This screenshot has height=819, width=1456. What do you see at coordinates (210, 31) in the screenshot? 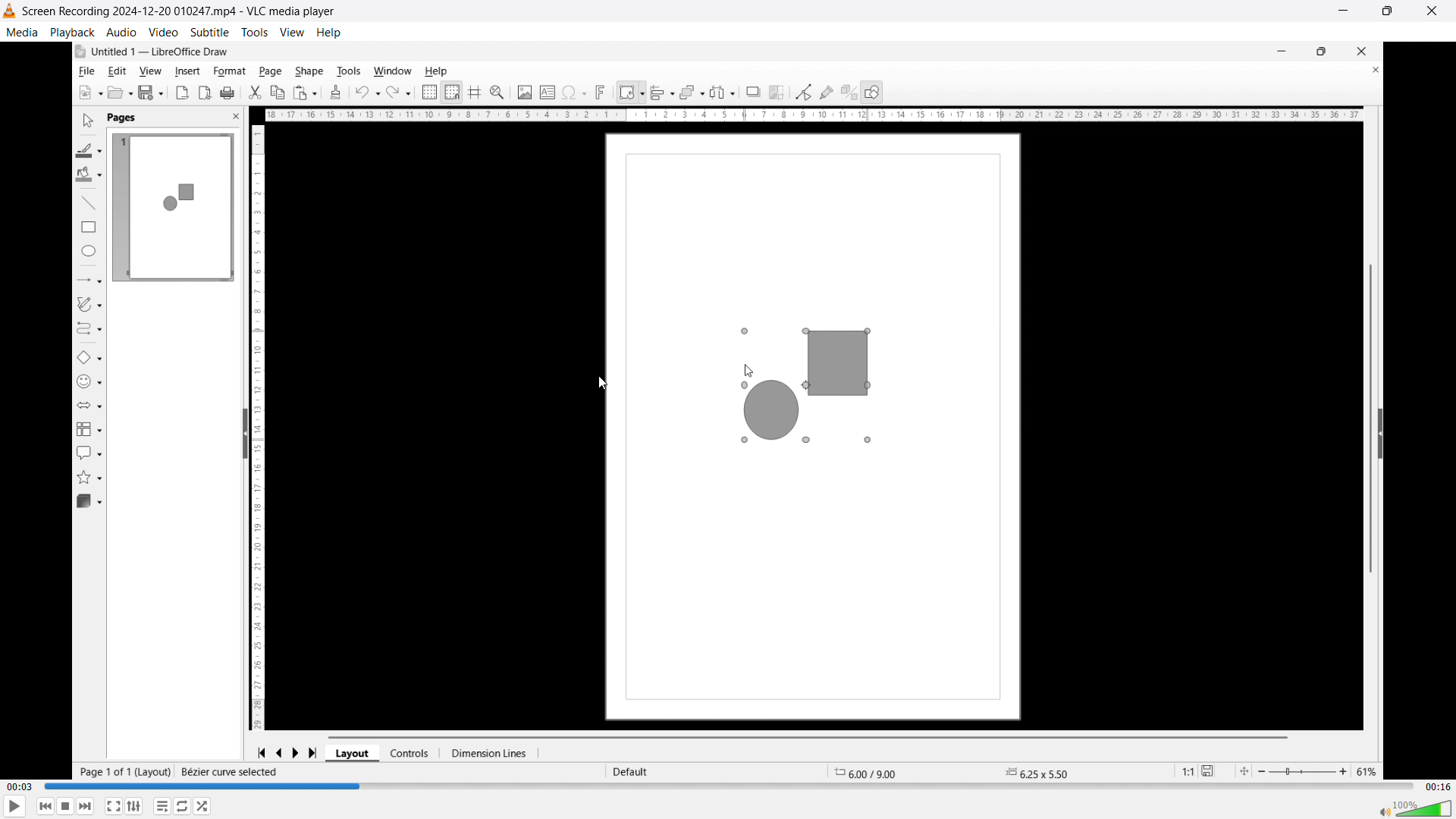
I see `subtitle` at bounding box center [210, 31].